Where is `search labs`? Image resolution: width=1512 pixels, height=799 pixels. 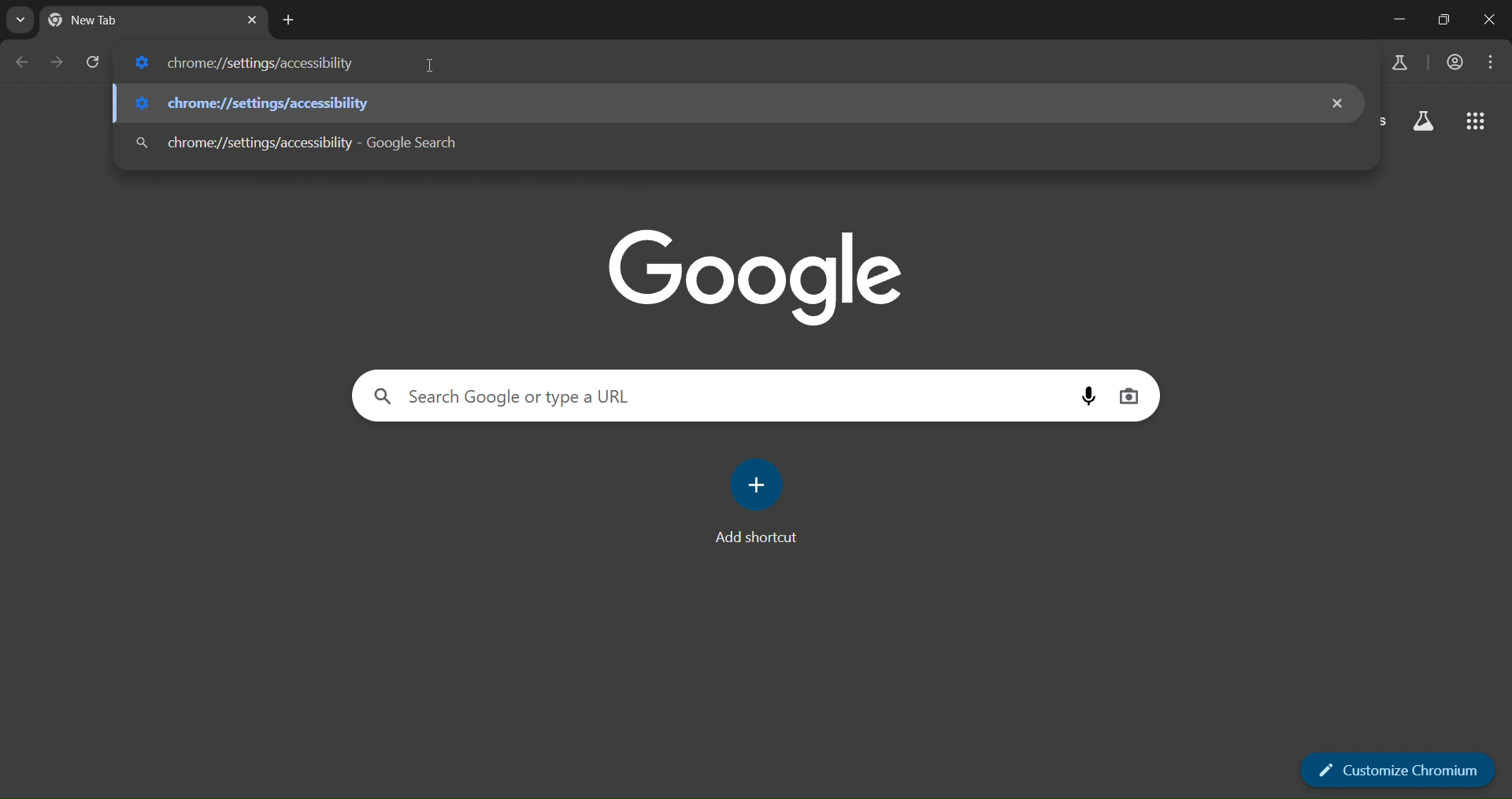 search labs is located at coordinates (1421, 121).